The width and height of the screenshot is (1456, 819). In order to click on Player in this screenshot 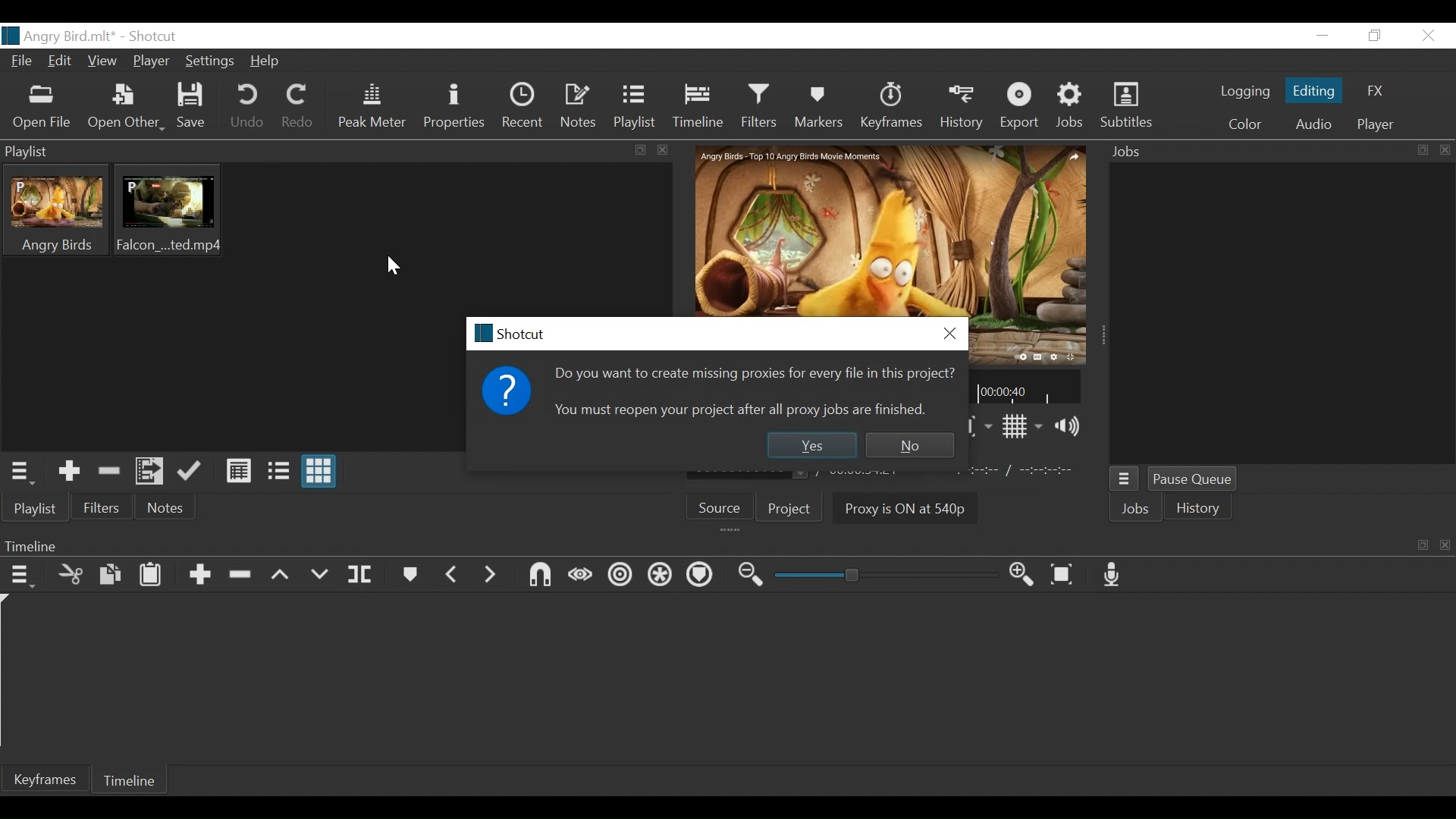, I will do `click(149, 62)`.